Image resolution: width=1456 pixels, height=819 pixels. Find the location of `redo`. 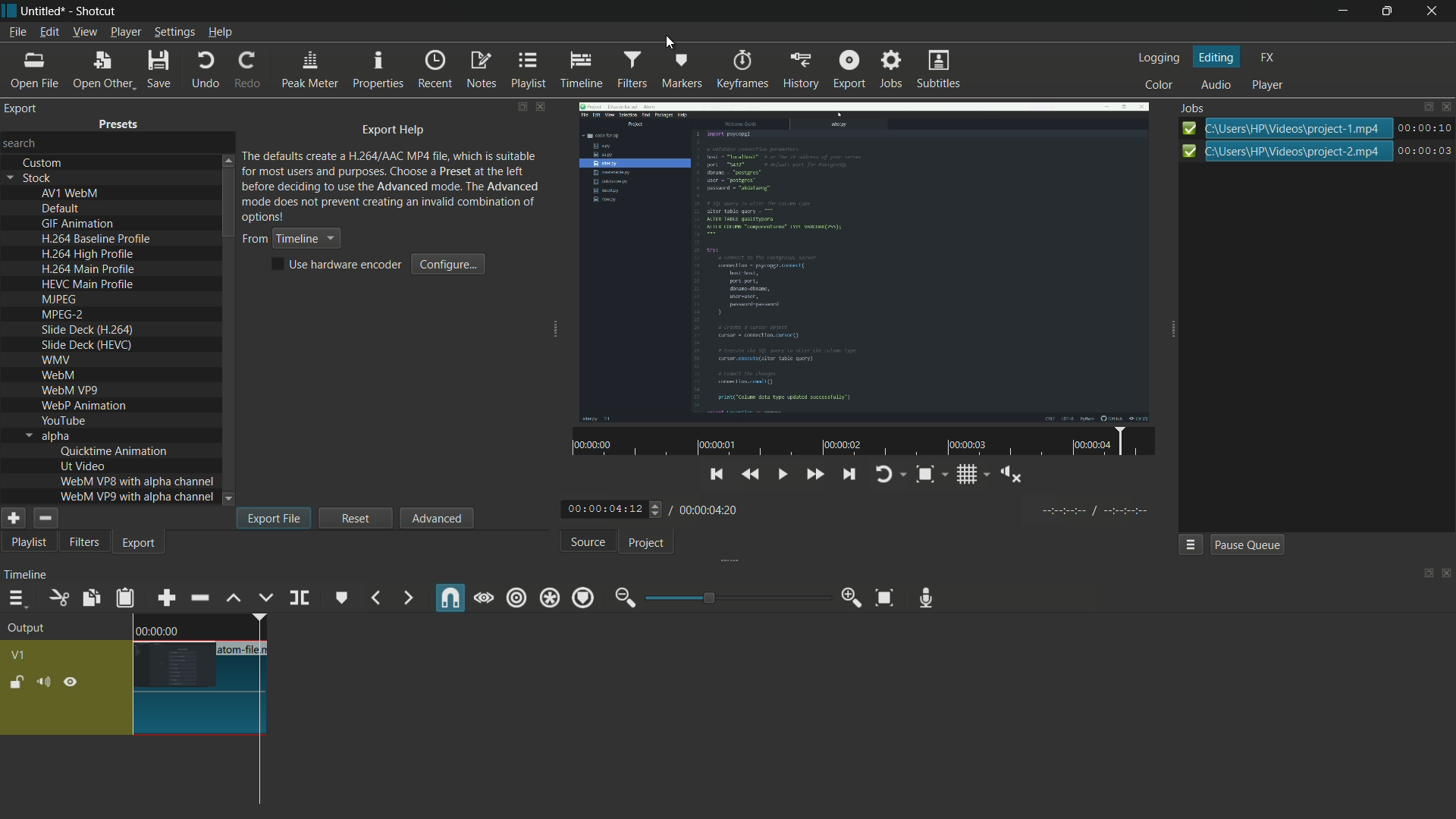

redo is located at coordinates (252, 71).